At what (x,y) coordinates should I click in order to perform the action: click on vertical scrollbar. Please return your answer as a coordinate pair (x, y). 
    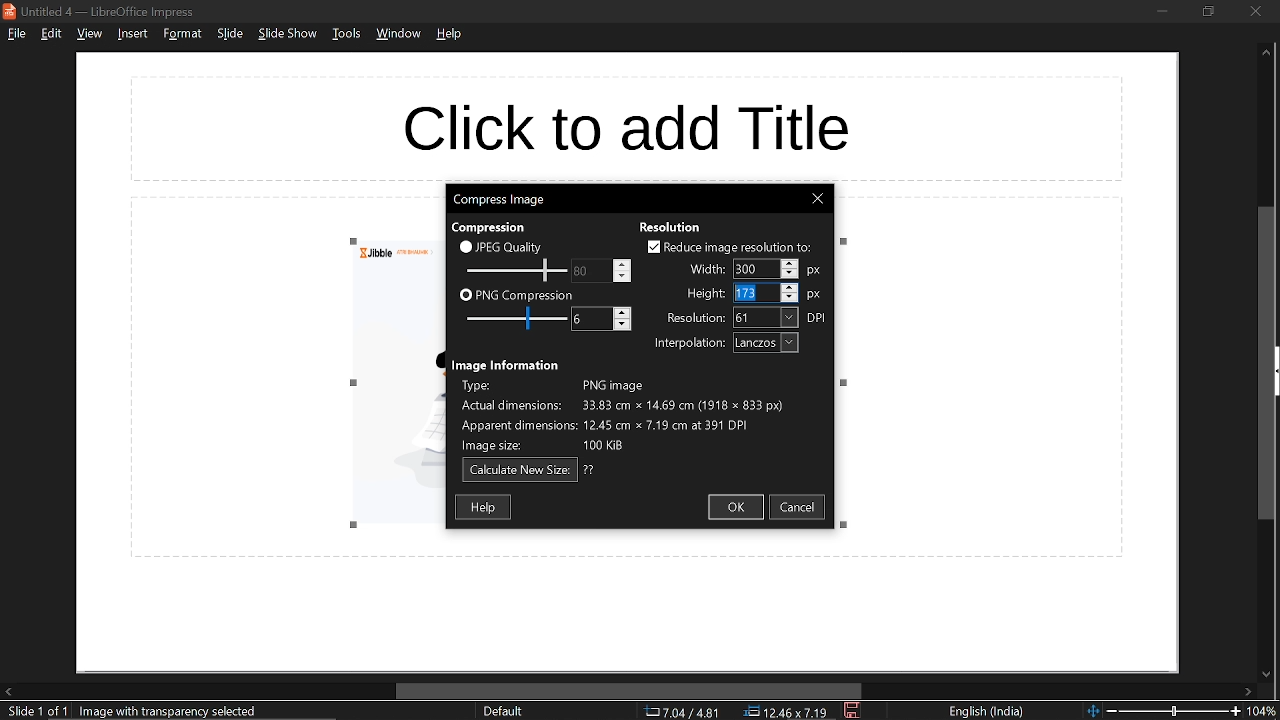
    Looking at the image, I should click on (1267, 363).